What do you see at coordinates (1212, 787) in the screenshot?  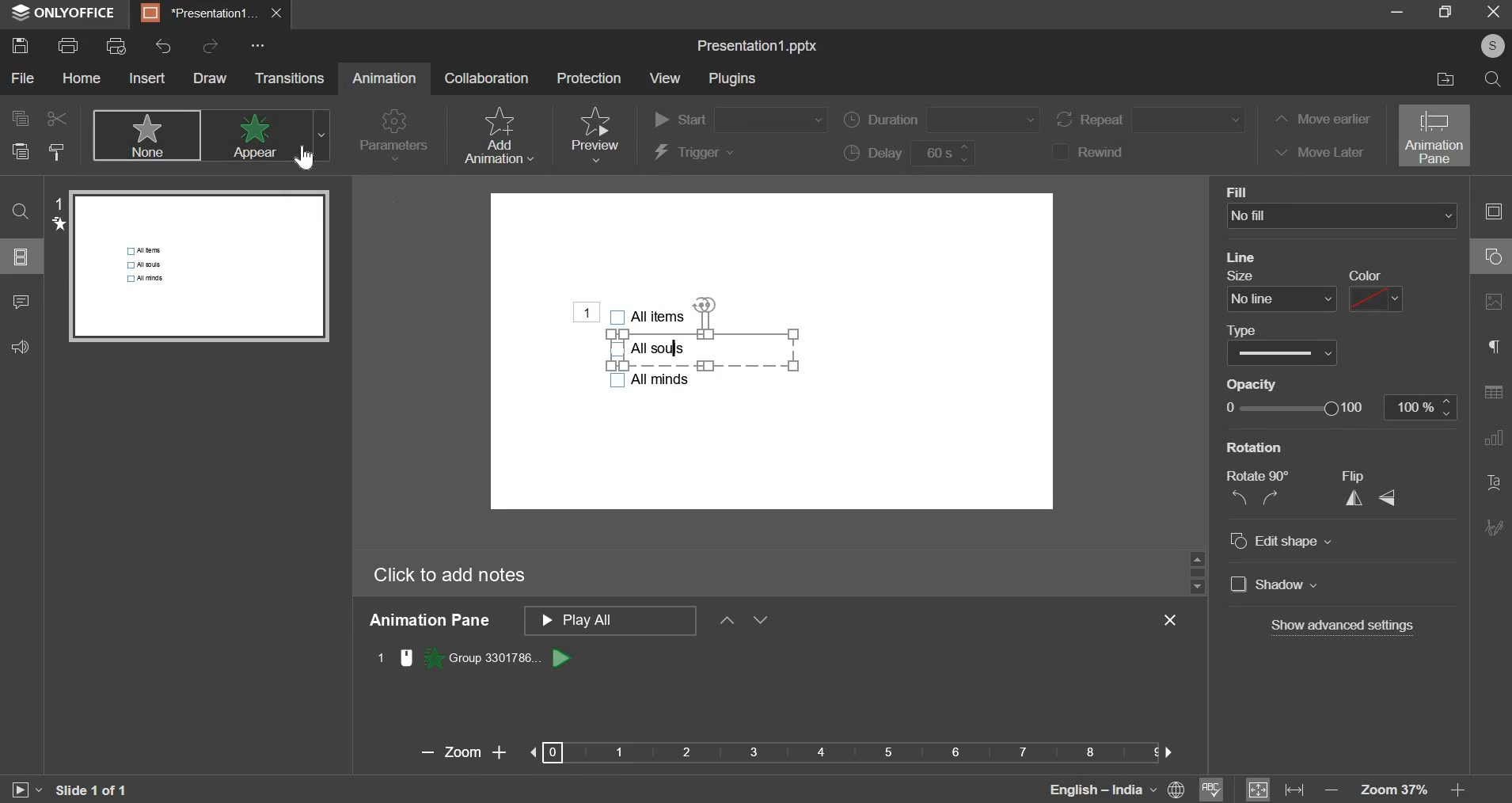 I see `spelling` at bounding box center [1212, 787].